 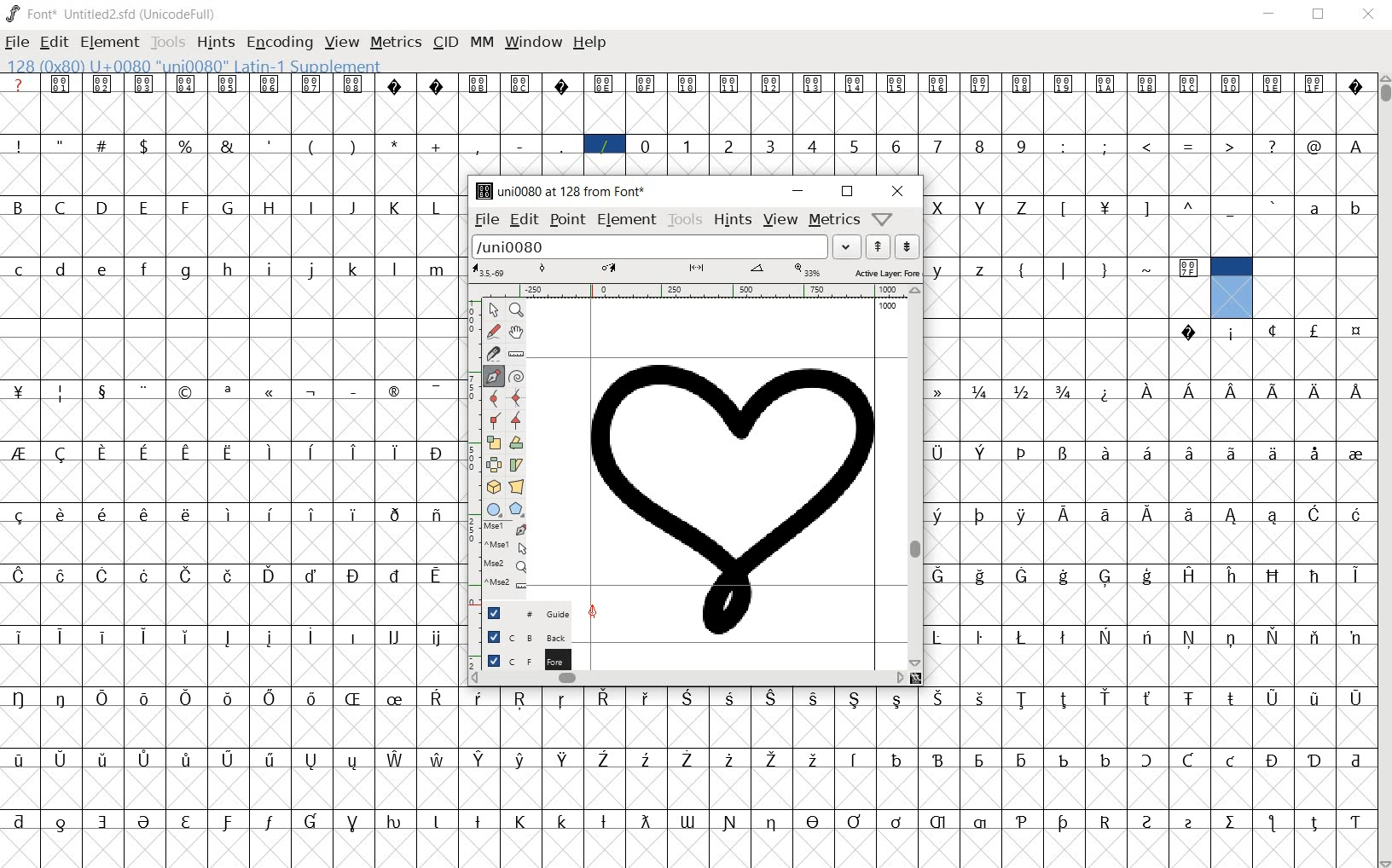 I want to click on glyph, so click(x=562, y=821).